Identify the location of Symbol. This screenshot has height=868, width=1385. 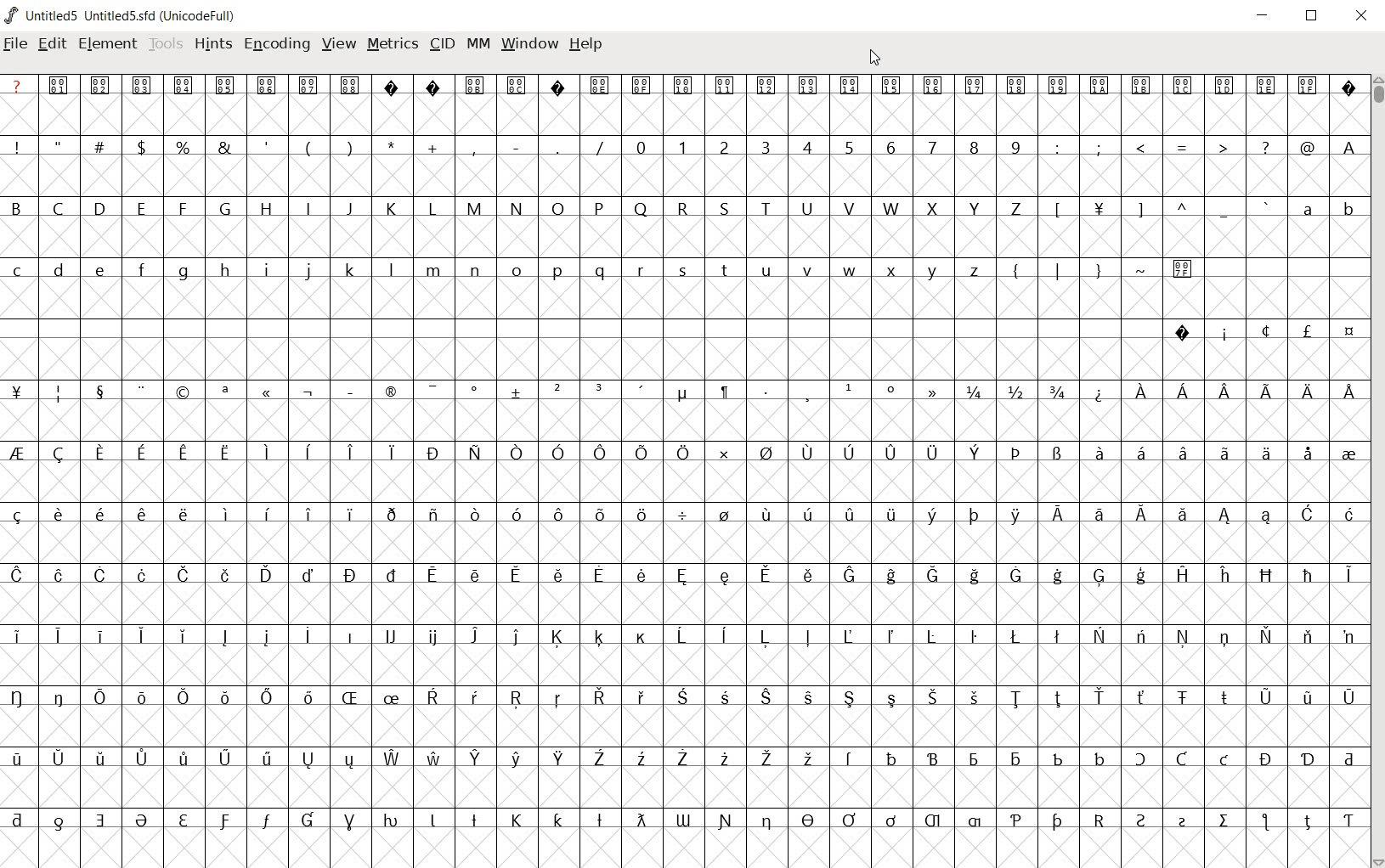
(393, 86).